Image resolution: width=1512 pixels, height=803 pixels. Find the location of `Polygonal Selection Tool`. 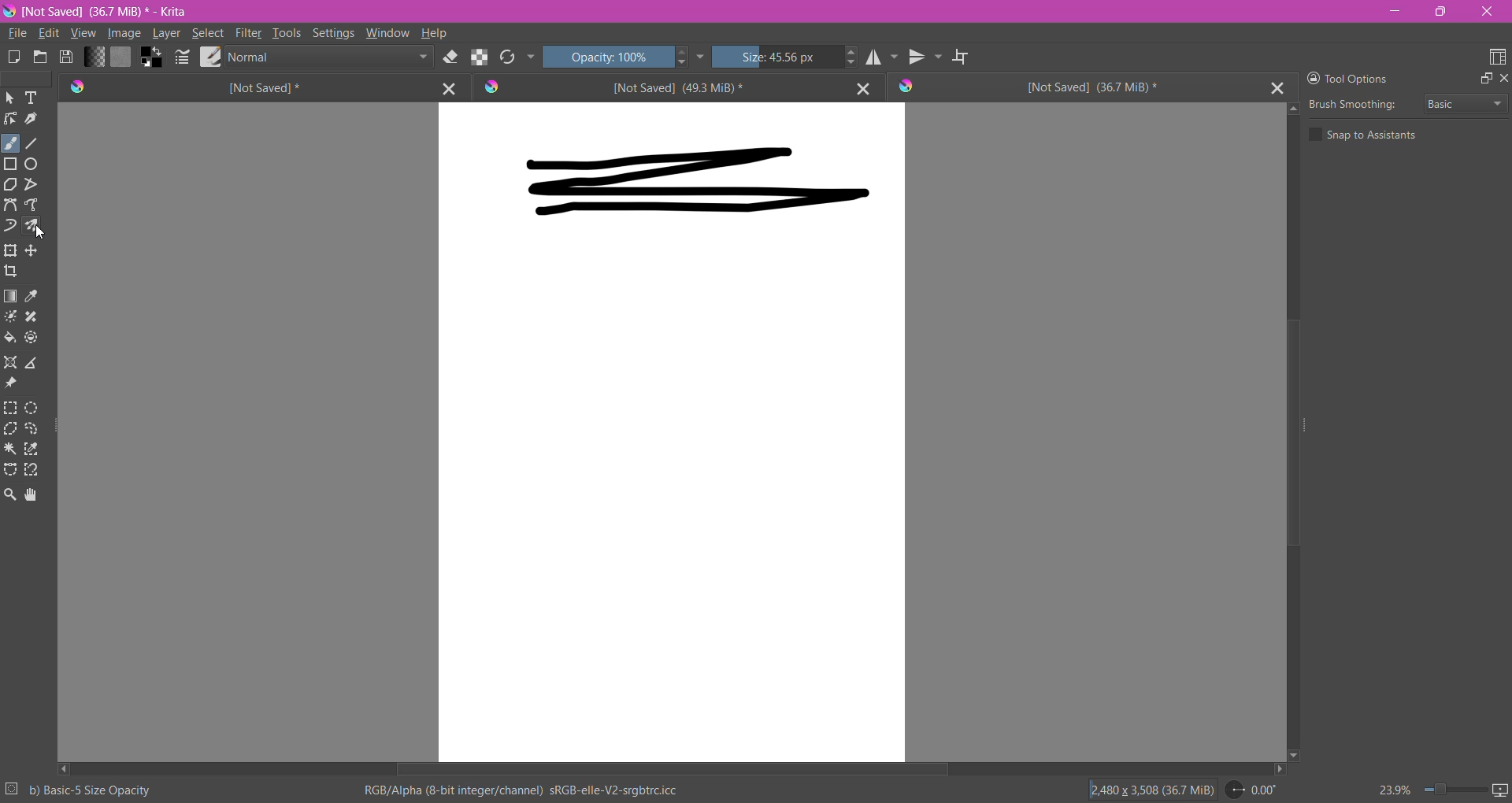

Polygonal Selection Tool is located at coordinates (11, 428).